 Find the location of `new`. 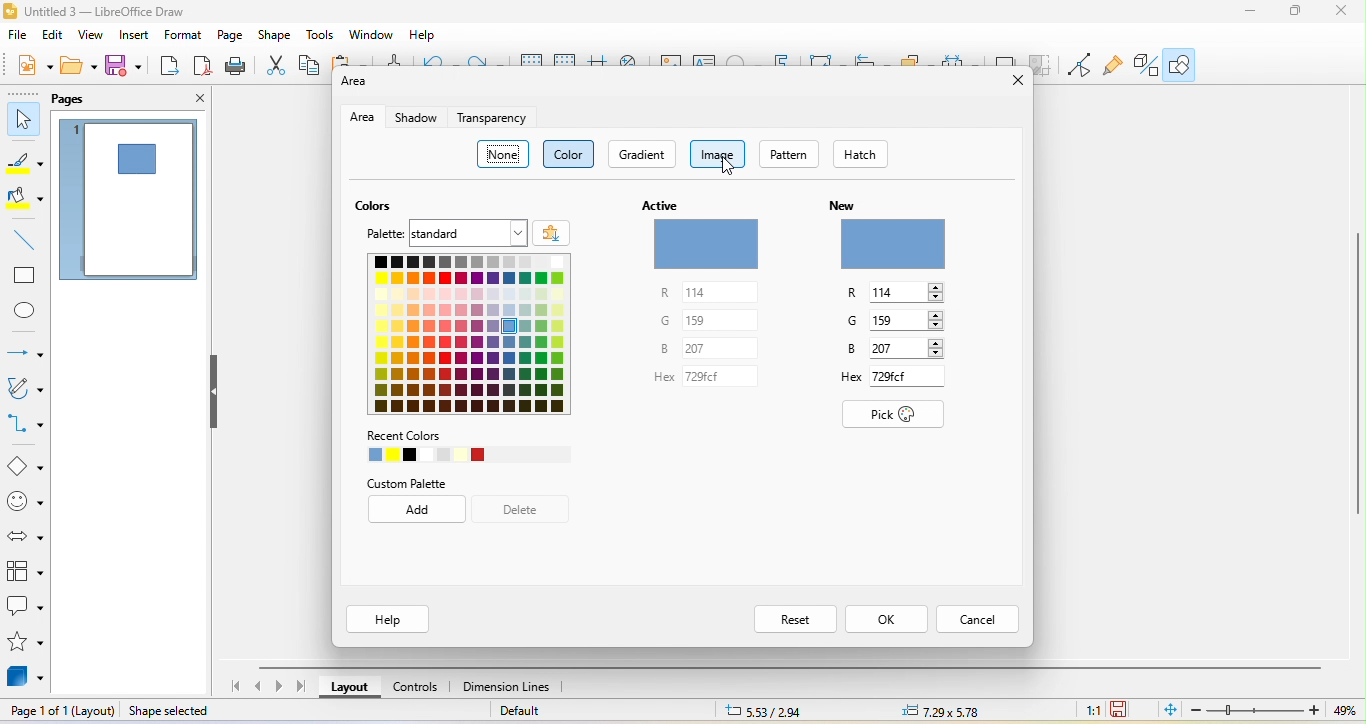

new is located at coordinates (893, 234).